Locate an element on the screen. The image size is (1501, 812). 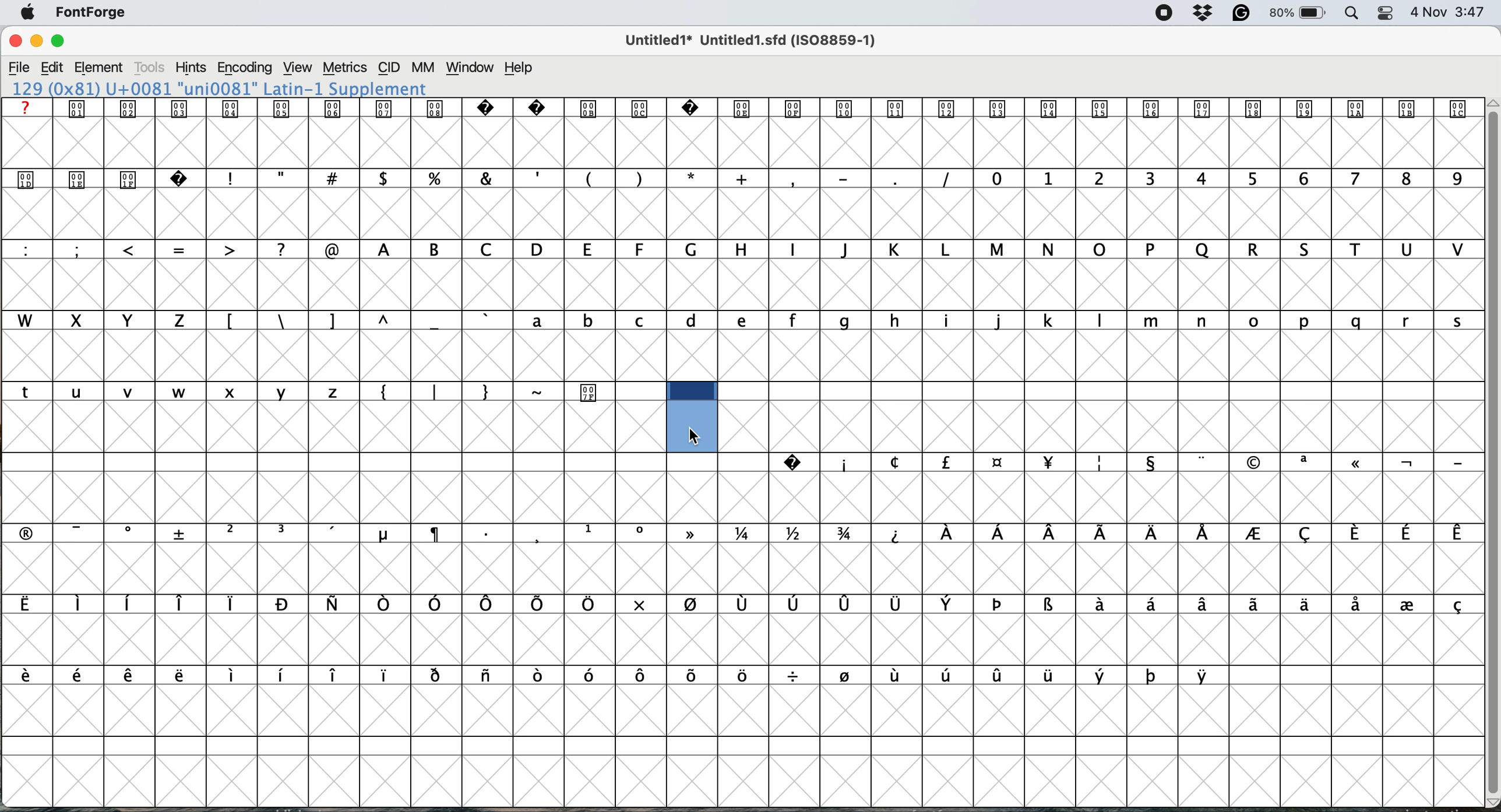
Latin Extended-A – Lowercase Accented Letters & Mathematical Symbol is located at coordinates (615, 674).